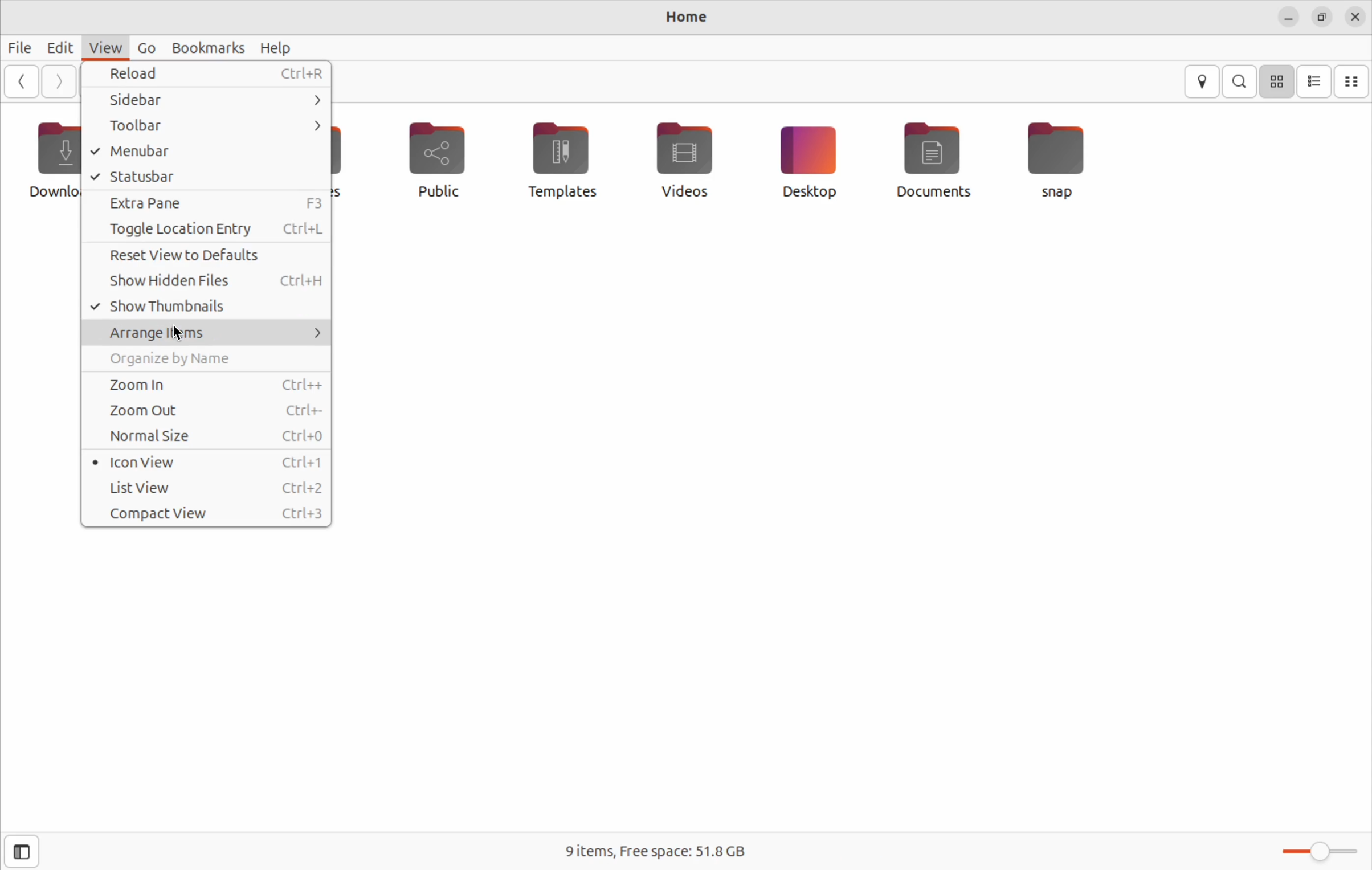  What do you see at coordinates (205, 151) in the screenshot?
I see `menu bar` at bounding box center [205, 151].